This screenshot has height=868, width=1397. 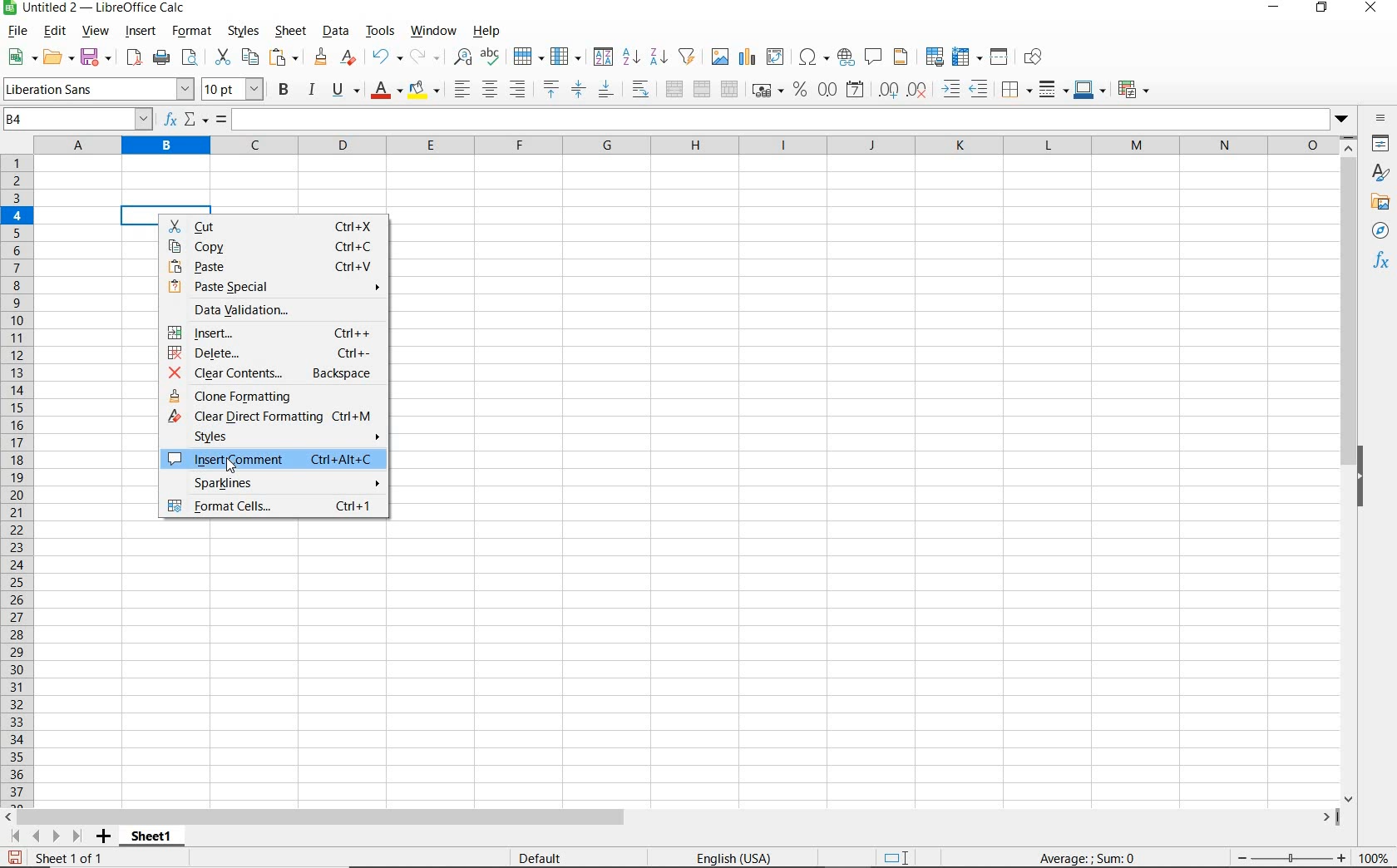 What do you see at coordinates (888, 91) in the screenshot?
I see `add decimal place` at bounding box center [888, 91].